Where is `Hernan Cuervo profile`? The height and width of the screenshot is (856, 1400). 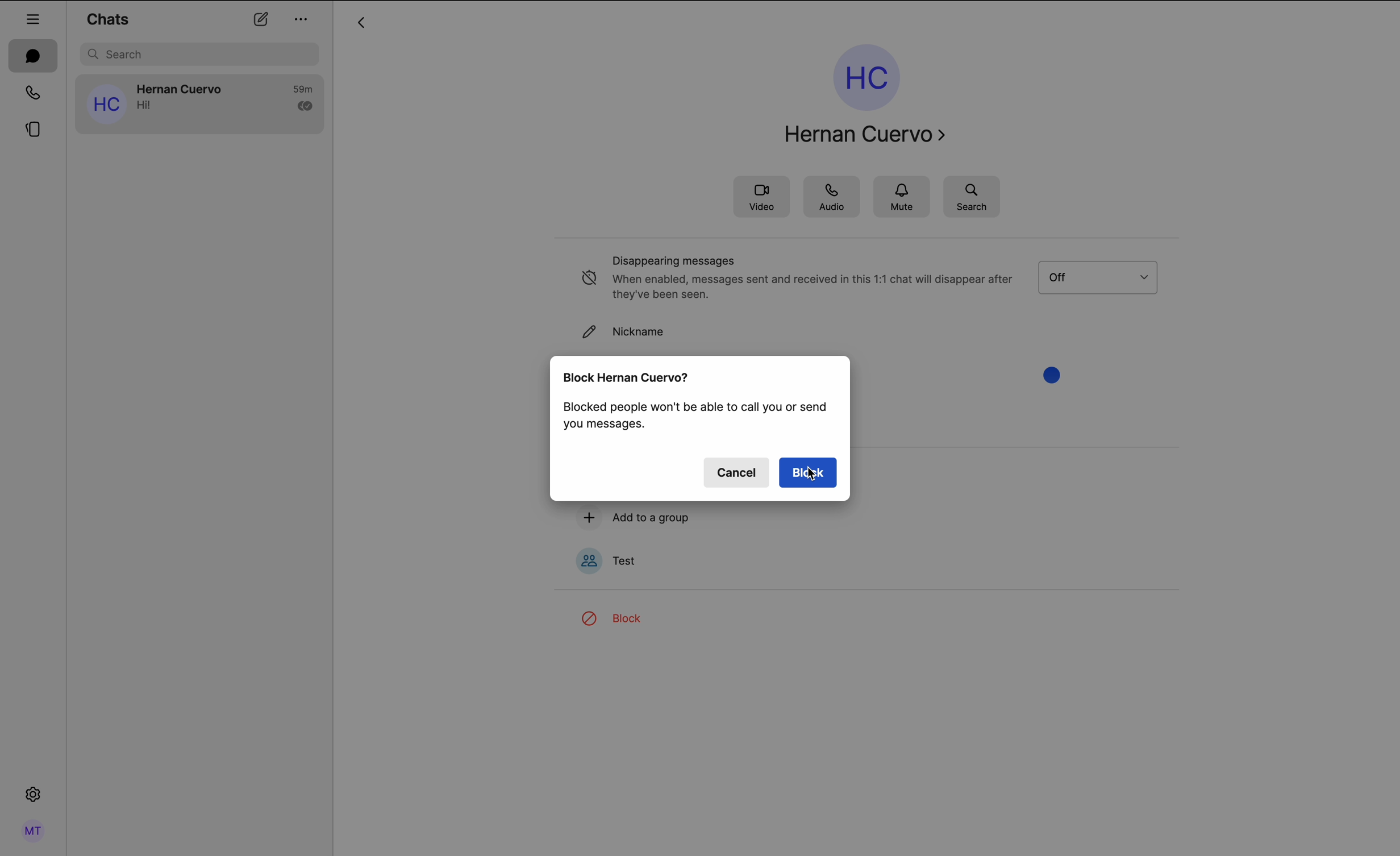 Hernan Cuervo profile is located at coordinates (856, 90).